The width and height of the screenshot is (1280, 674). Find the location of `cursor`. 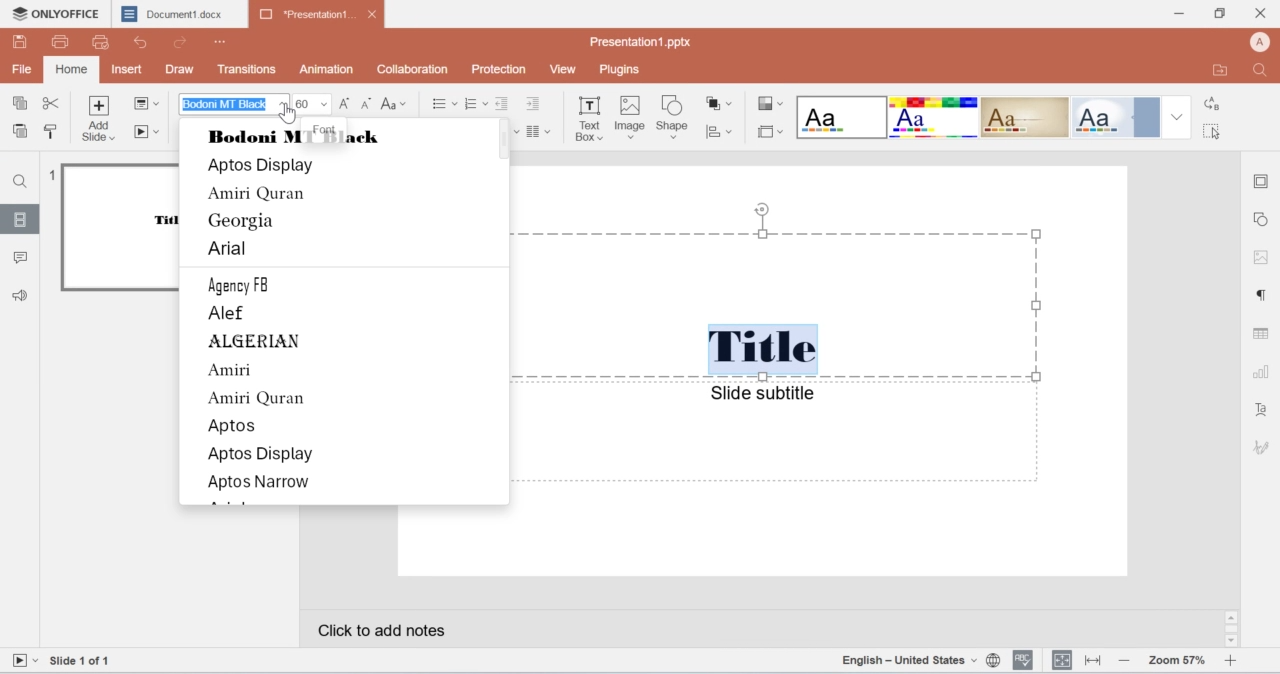

cursor is located at coordinates (290, 115).